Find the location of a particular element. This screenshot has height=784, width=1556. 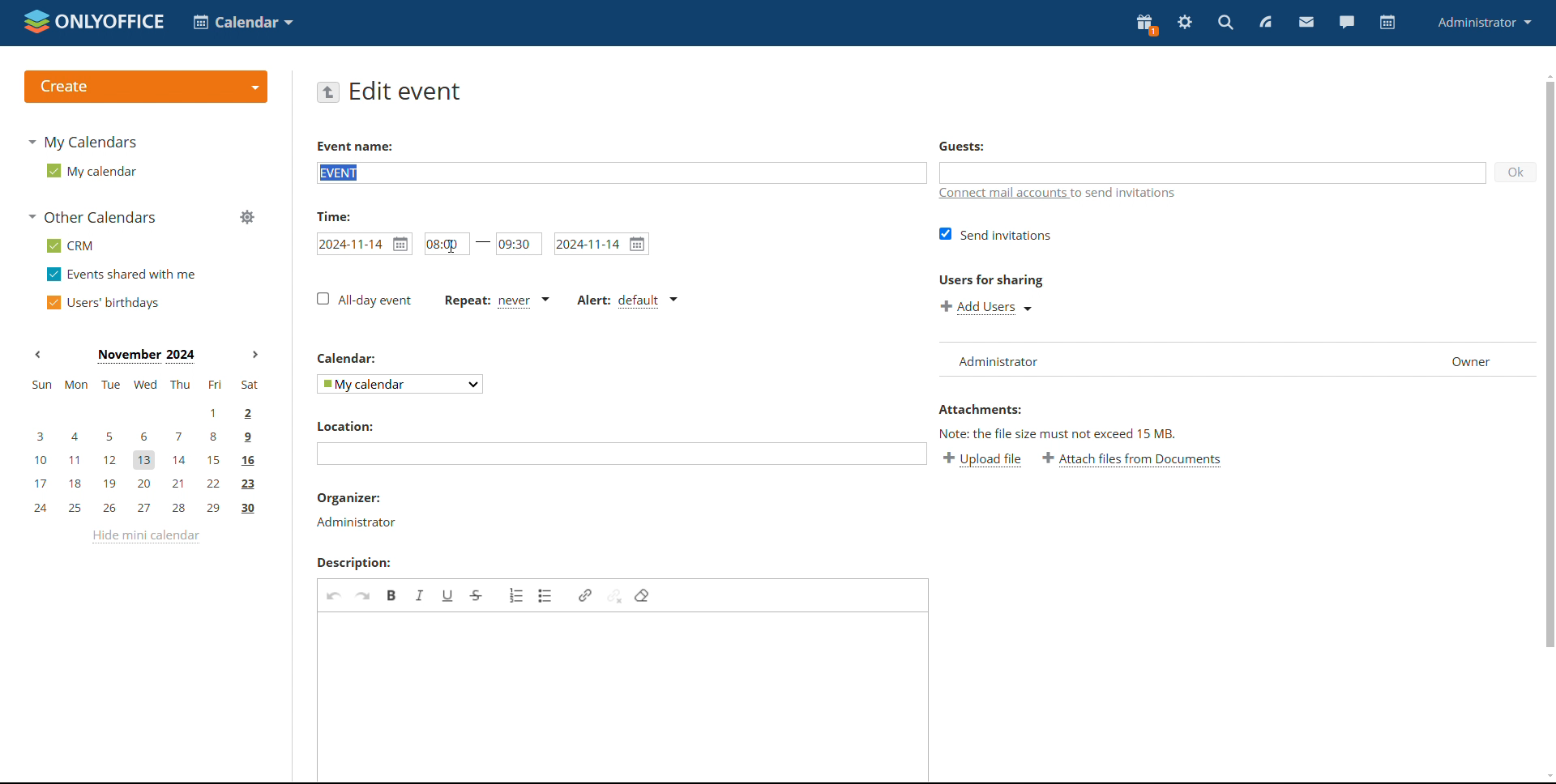

add users for sharing is located at coordinates (986, 308).